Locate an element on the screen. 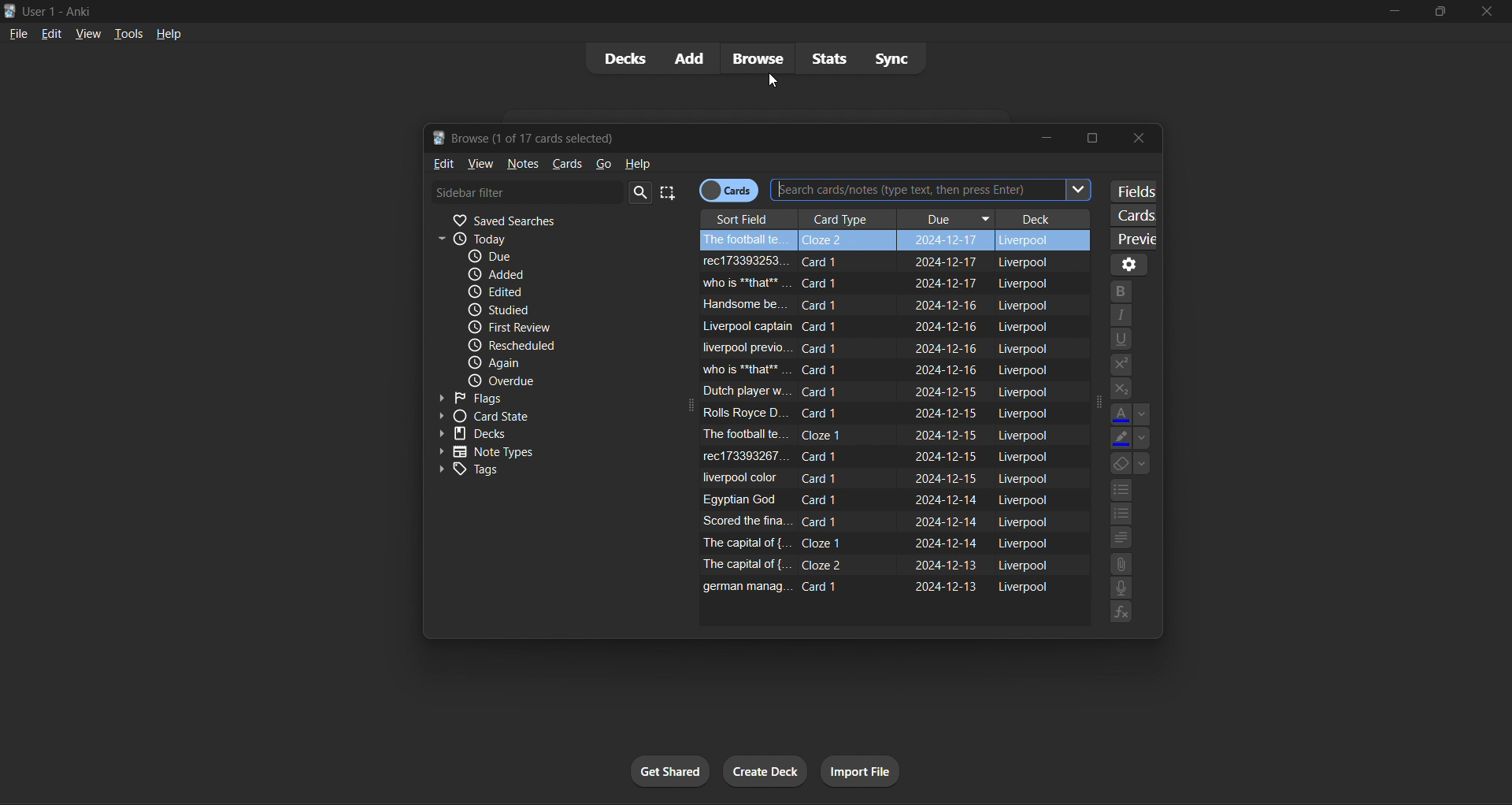 This screenshot has height=805, width=1512. card 1 is located at coordinates (828, 456).